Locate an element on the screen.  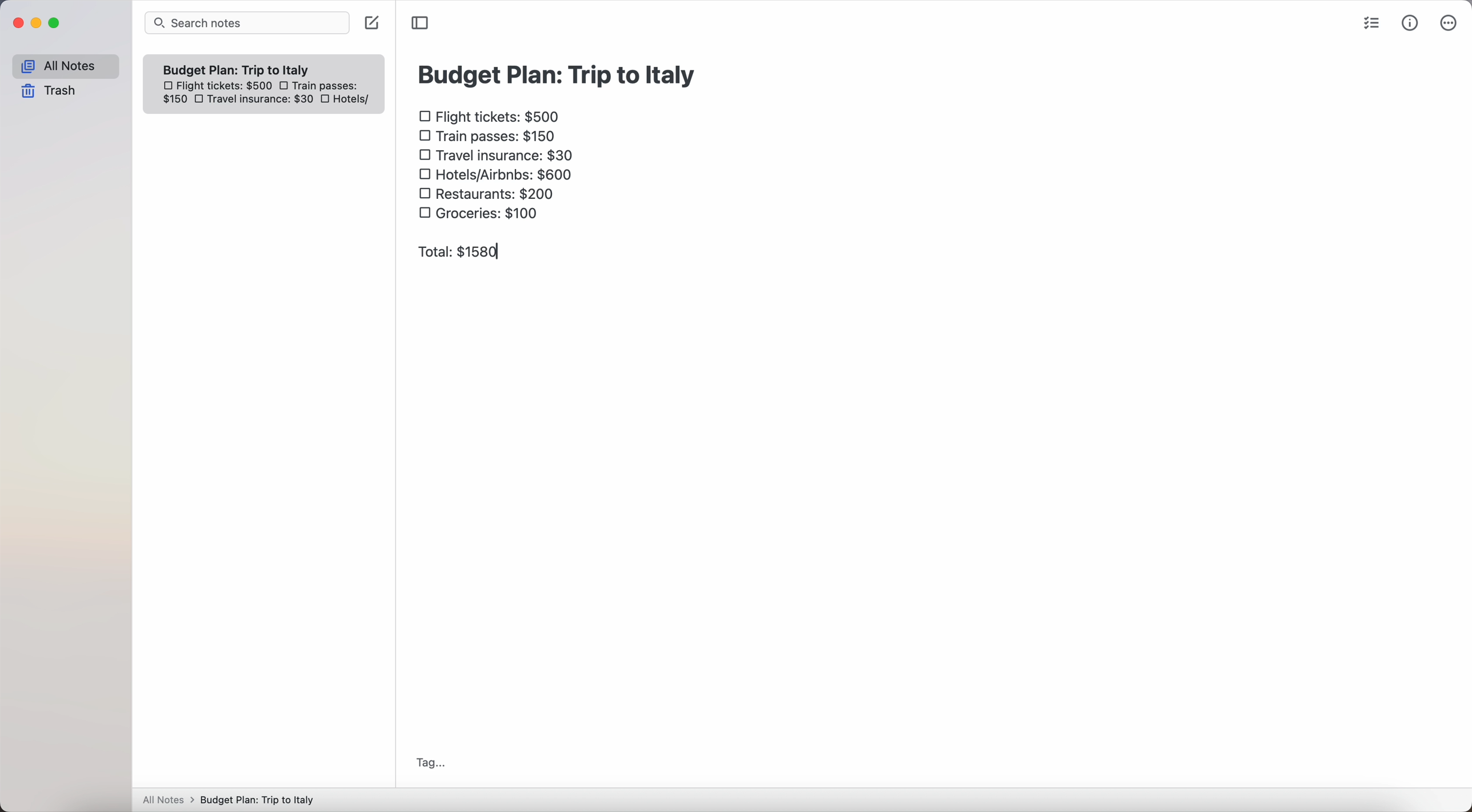
minimize is located at coordinates (39, 23).